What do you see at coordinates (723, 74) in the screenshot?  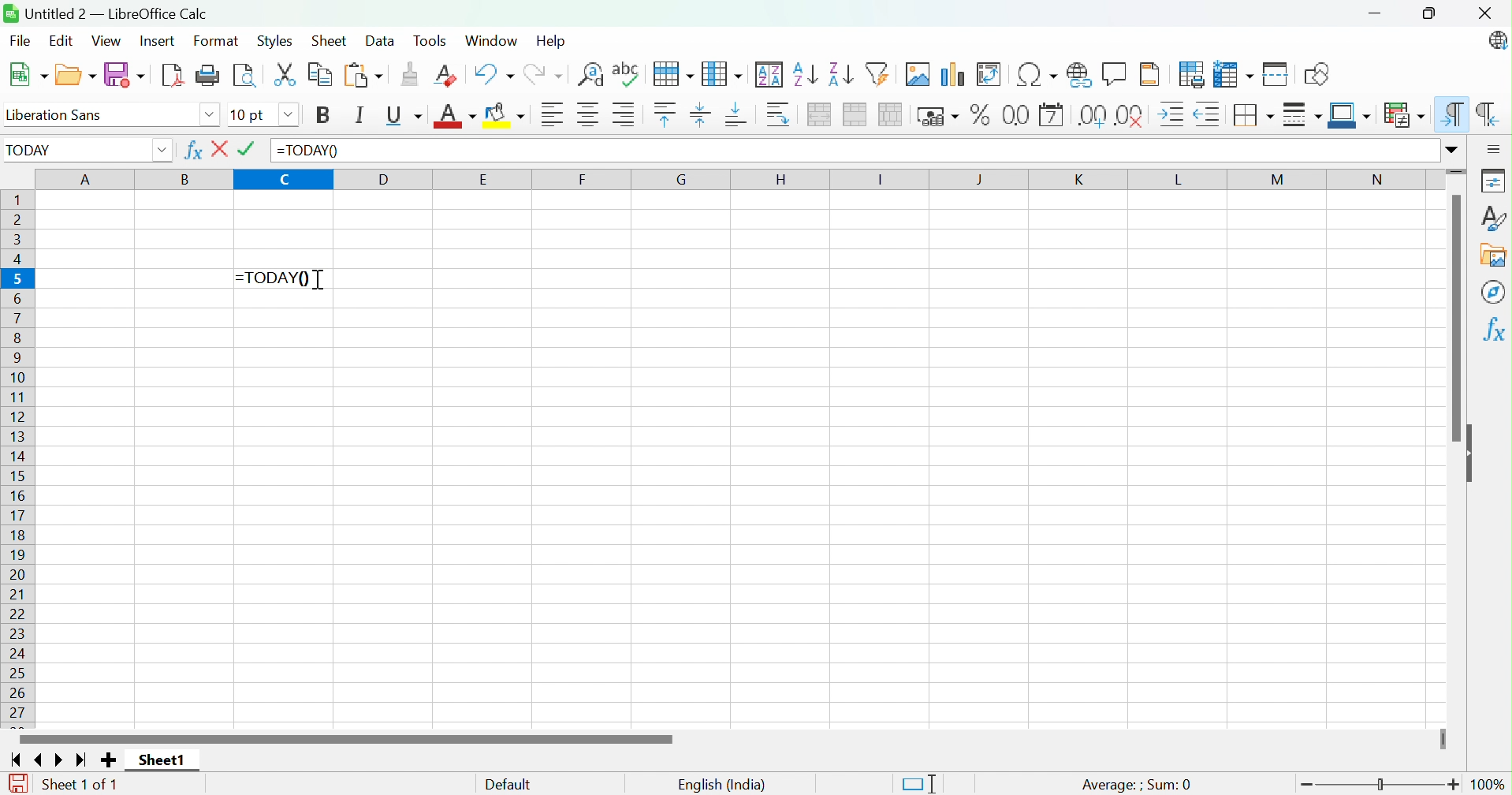 I see `Column` at bounding box center [723, 74].